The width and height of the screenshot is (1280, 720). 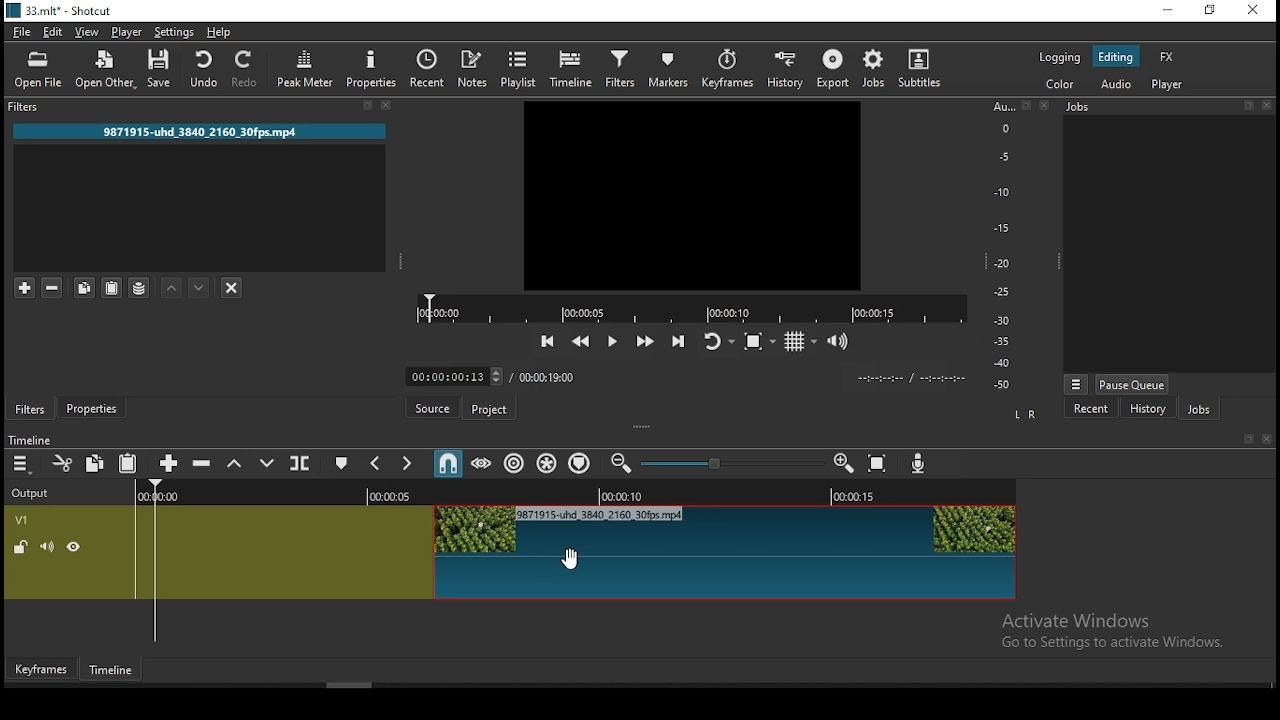 I want to click on Keyframe, so click(x=43, y=670).